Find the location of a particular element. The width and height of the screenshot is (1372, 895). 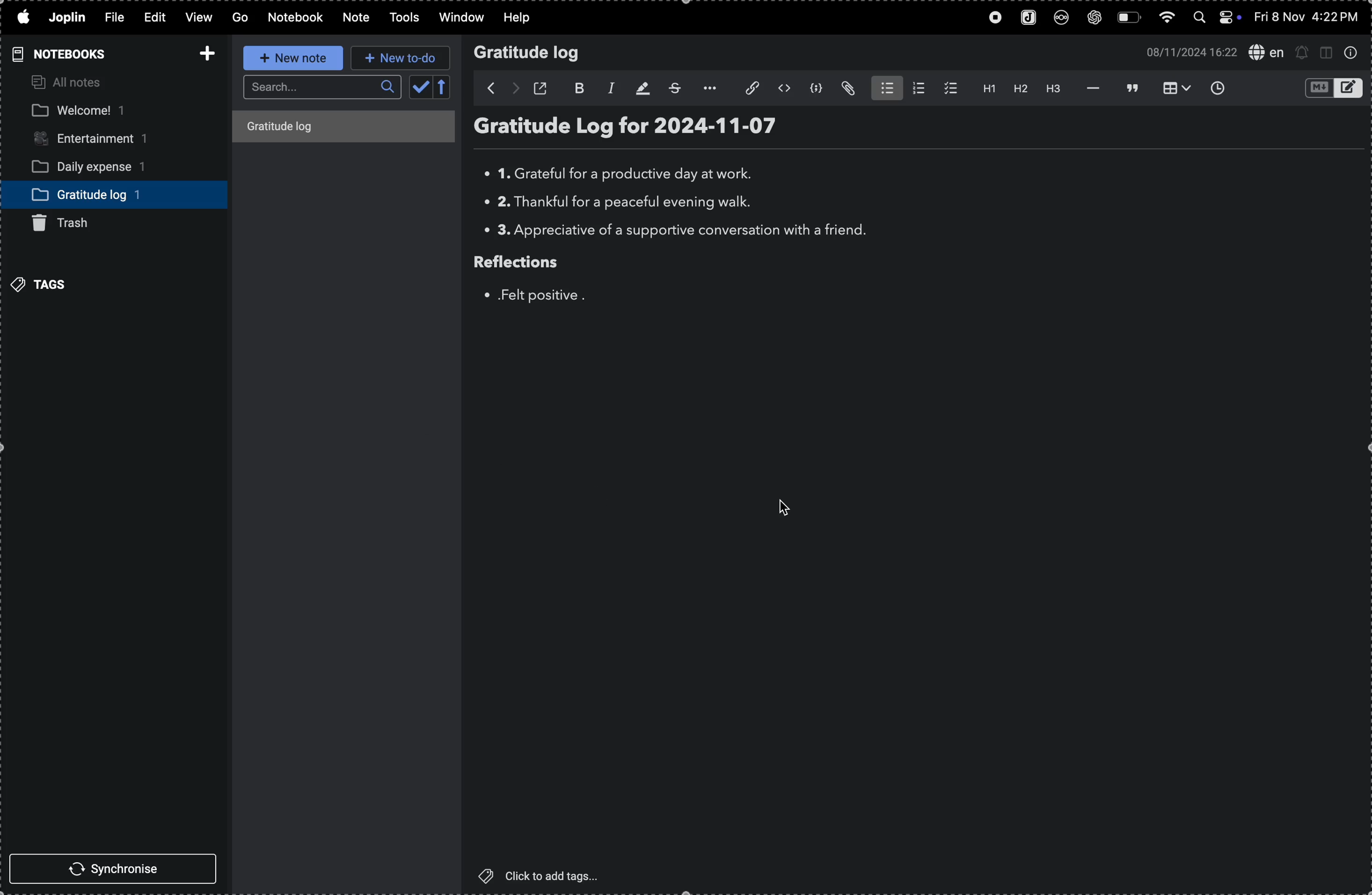

apple widgets is located at coordinates (1213, 16).